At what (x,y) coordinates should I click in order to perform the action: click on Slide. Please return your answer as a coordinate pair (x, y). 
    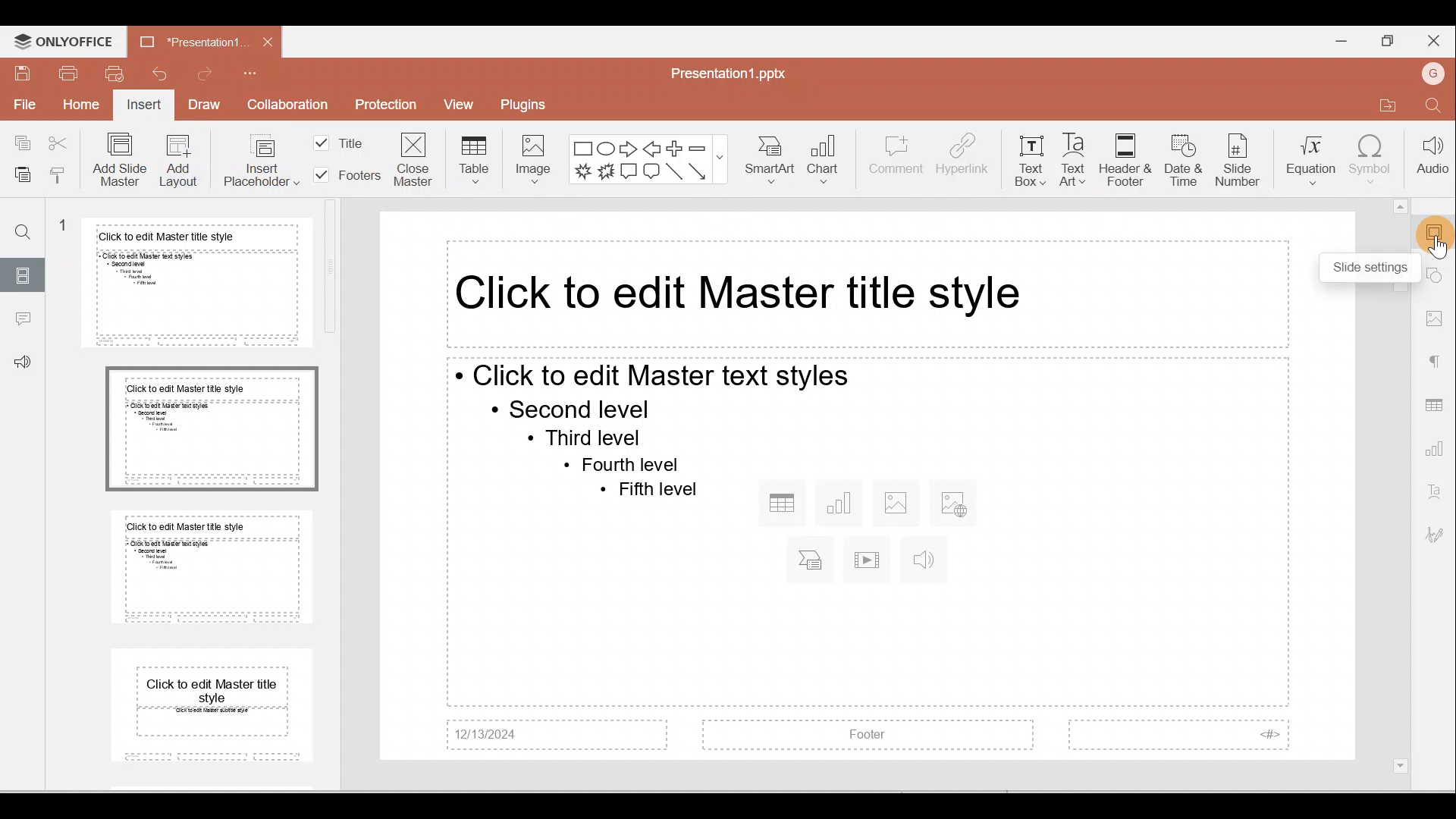
    Looking at the image, I should click on (24, 274).